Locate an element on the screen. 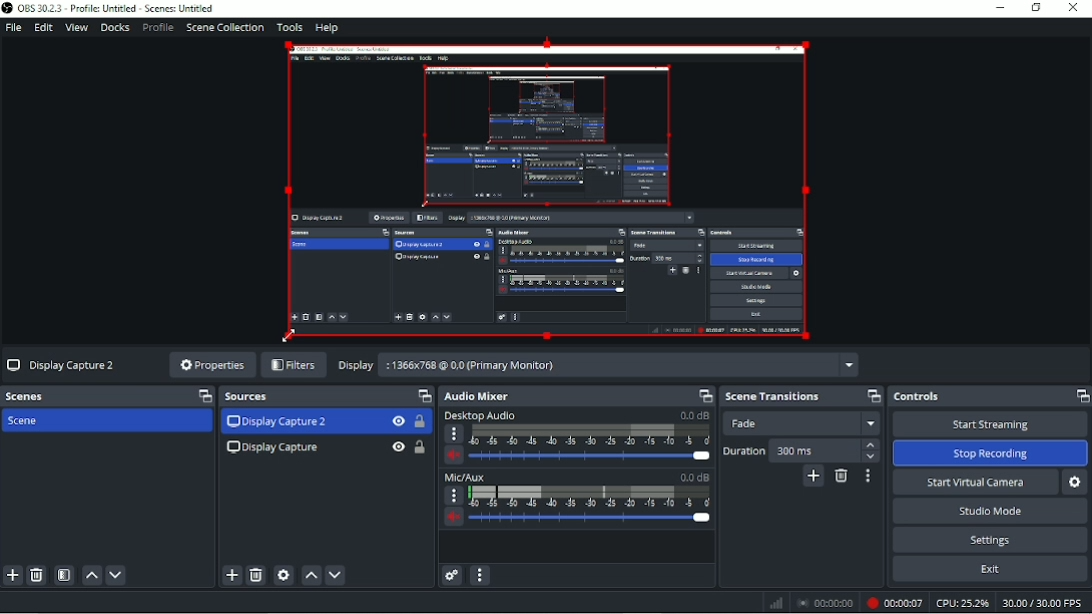 This screenshot has height=614, width=1092. Add source is located at coordinates (230, 575).